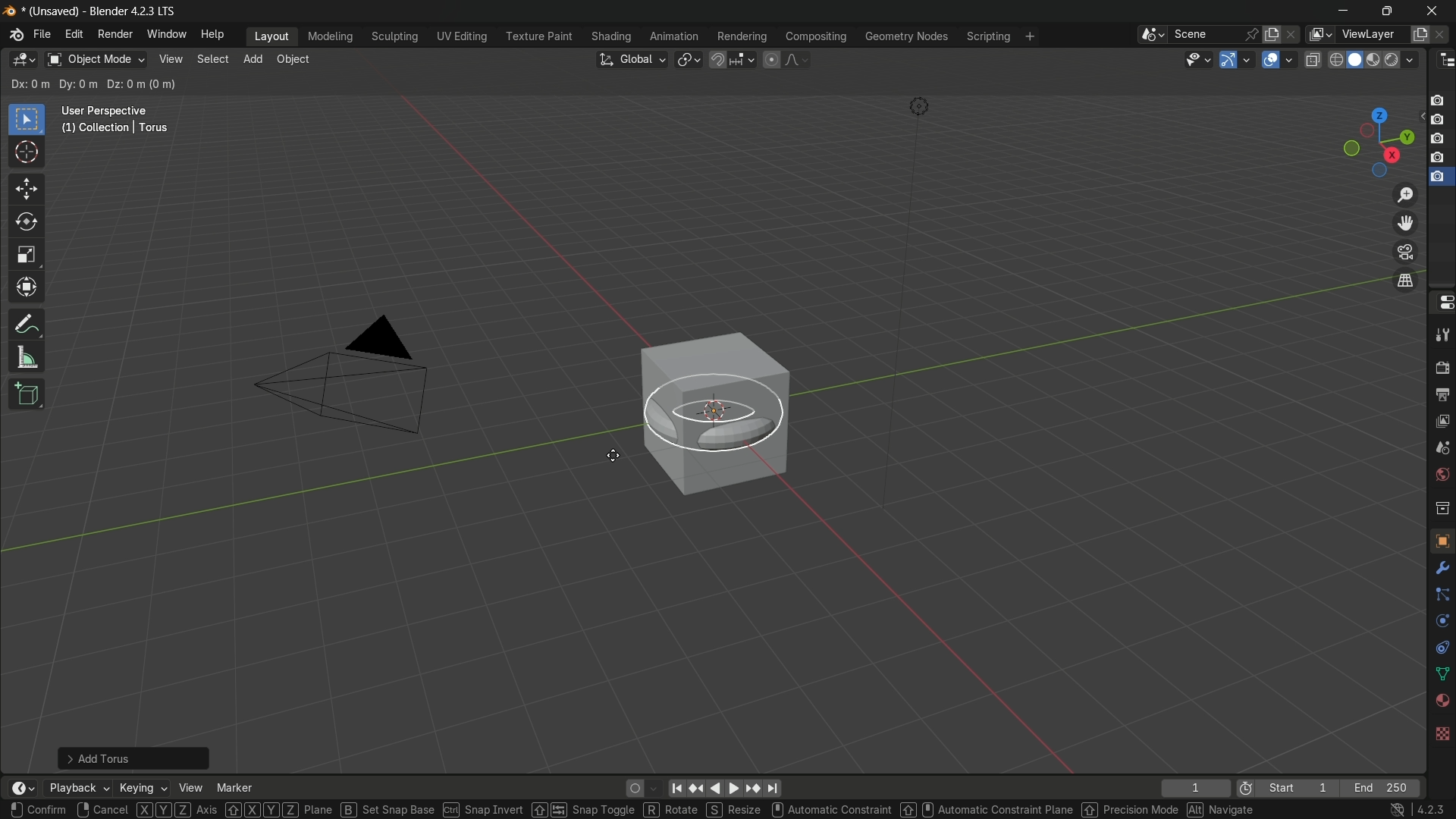 The height and width of the screenshot is (819, 1456). Describe the element at coordinates (165, 33) in the screenshot. I see `window menu` at that location.